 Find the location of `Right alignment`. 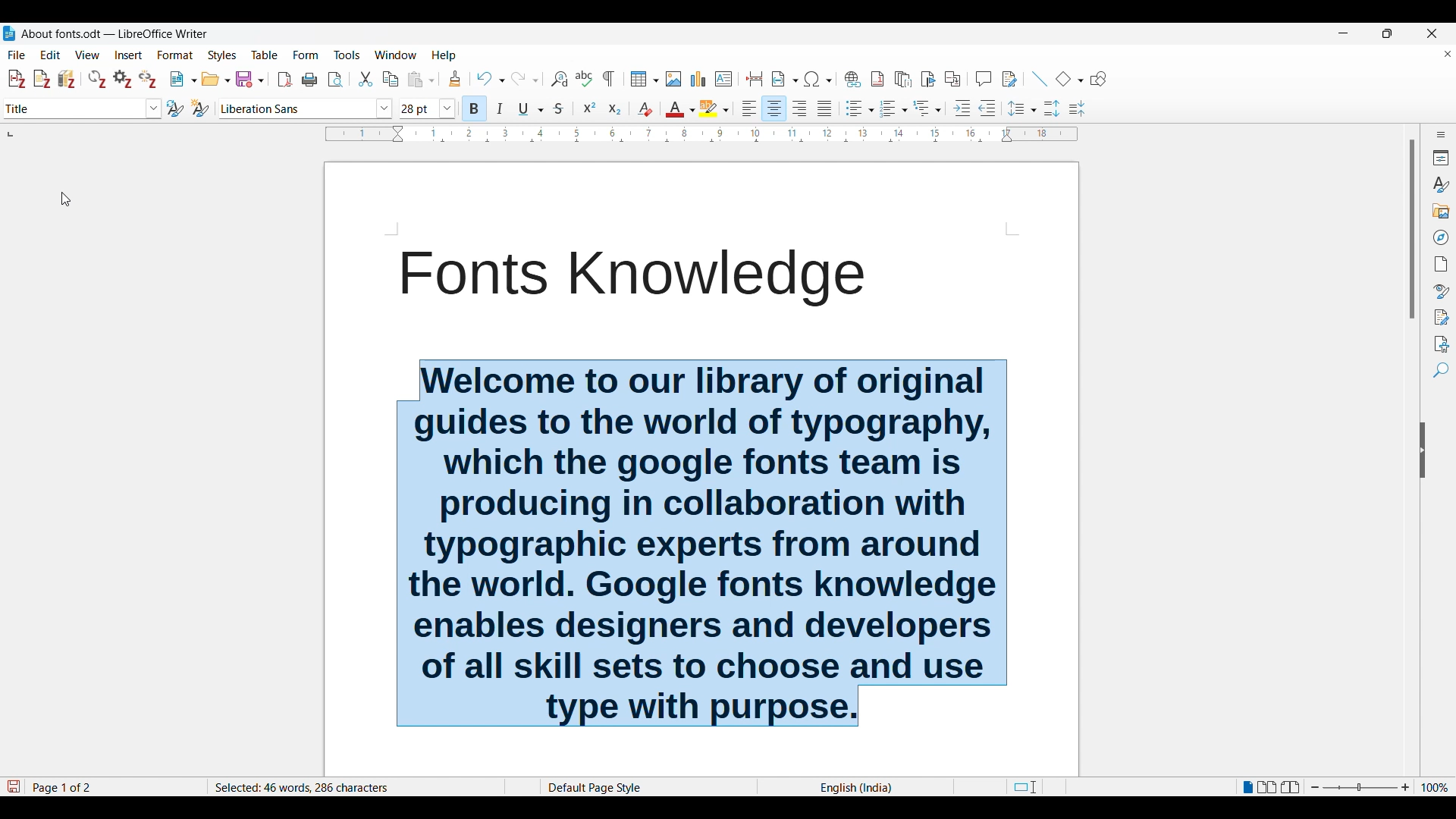

Right alignment is located at coordinates (799, 108).